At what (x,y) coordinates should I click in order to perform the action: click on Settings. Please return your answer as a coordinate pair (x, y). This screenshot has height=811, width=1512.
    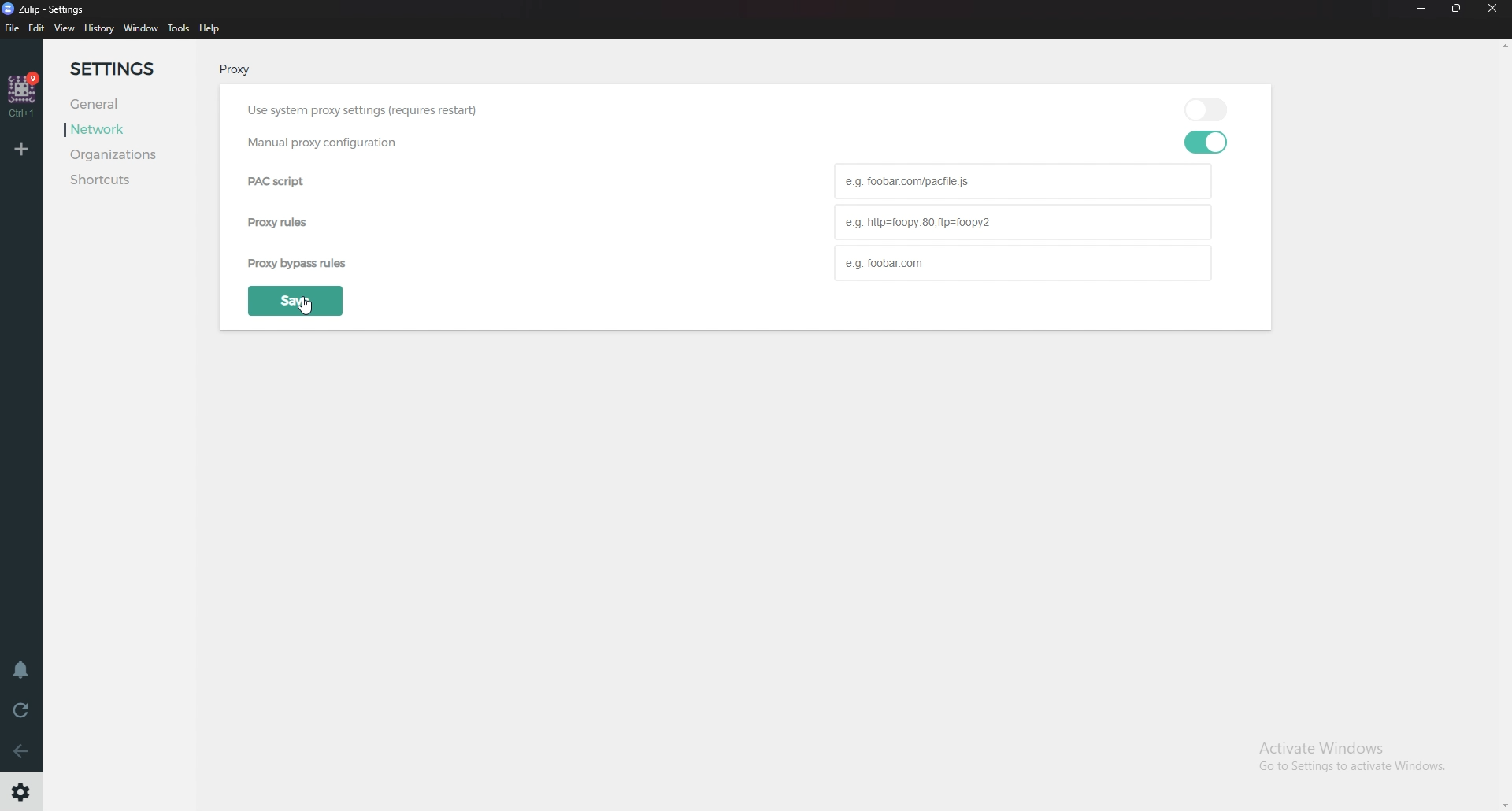
    Looking at the image, I should click on (128, 70).